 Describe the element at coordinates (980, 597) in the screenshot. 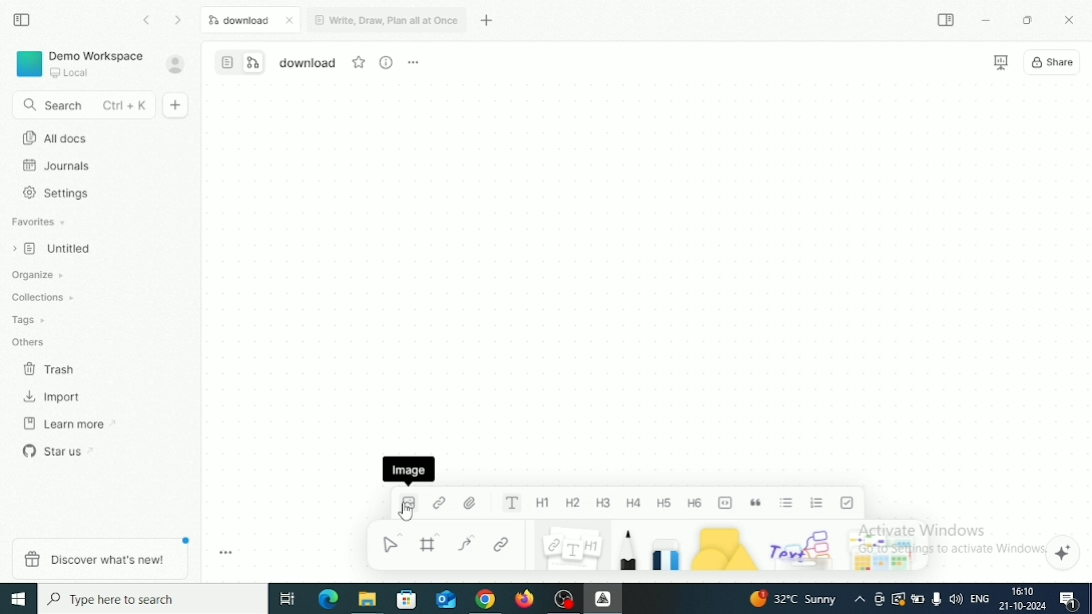

I see `Language` at that location.